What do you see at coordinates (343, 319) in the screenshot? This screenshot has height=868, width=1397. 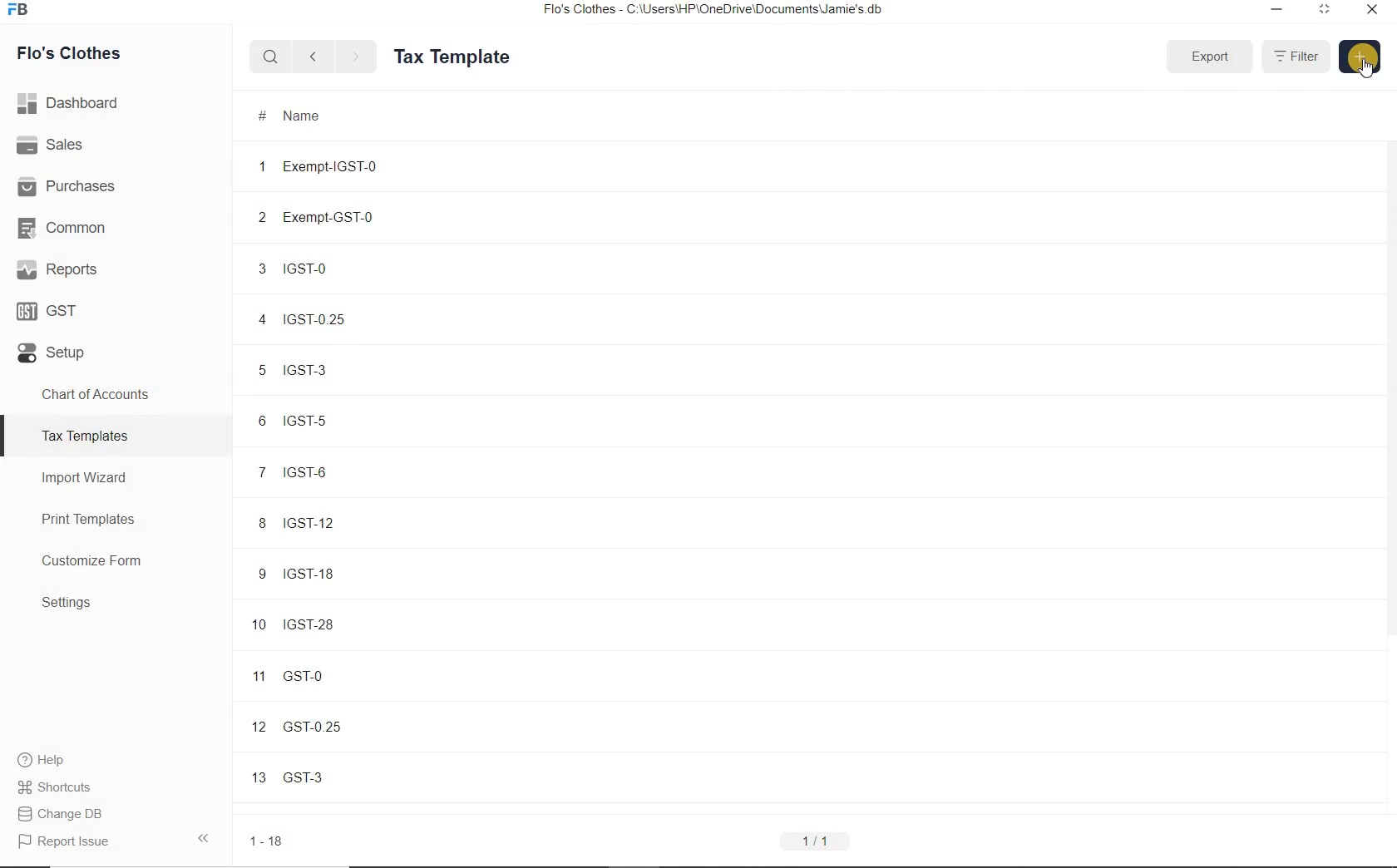 I see `4 IGST-0.25` at bounding box center [343, 319].